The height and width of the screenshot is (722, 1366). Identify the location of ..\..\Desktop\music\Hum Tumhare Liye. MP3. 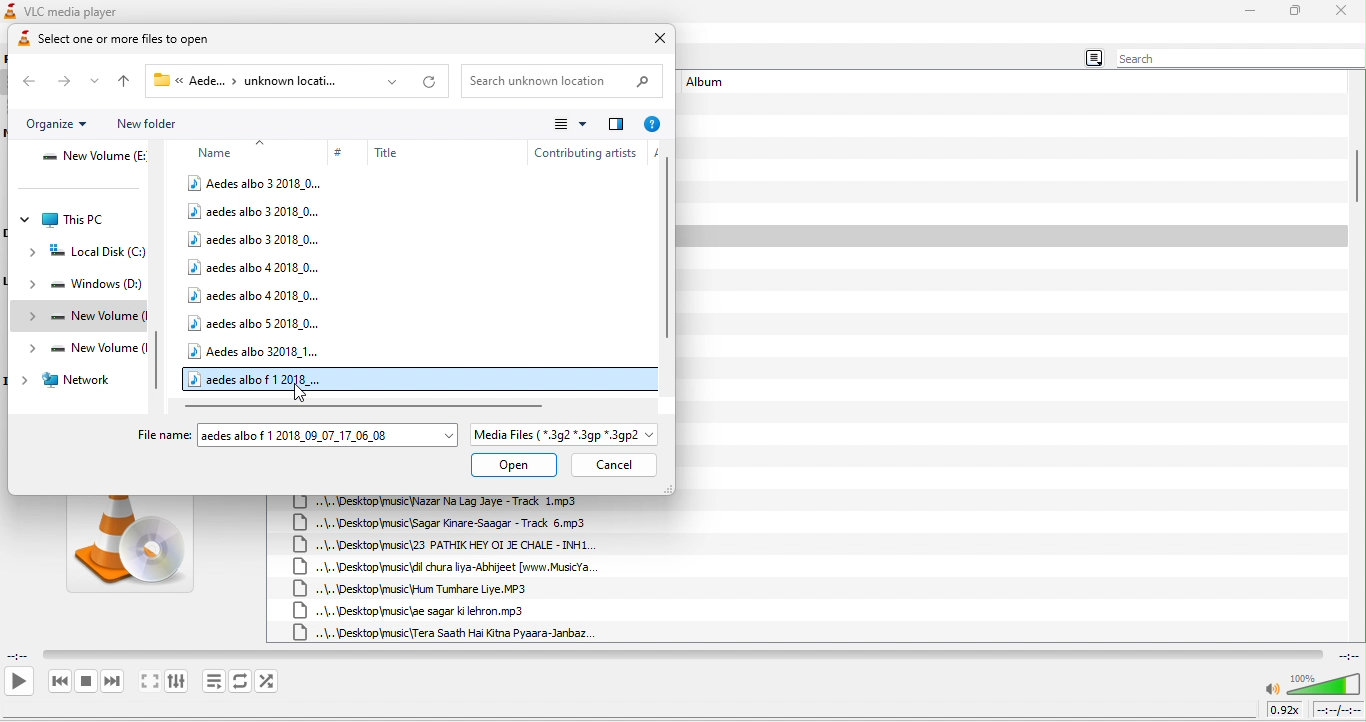
(414, 588).